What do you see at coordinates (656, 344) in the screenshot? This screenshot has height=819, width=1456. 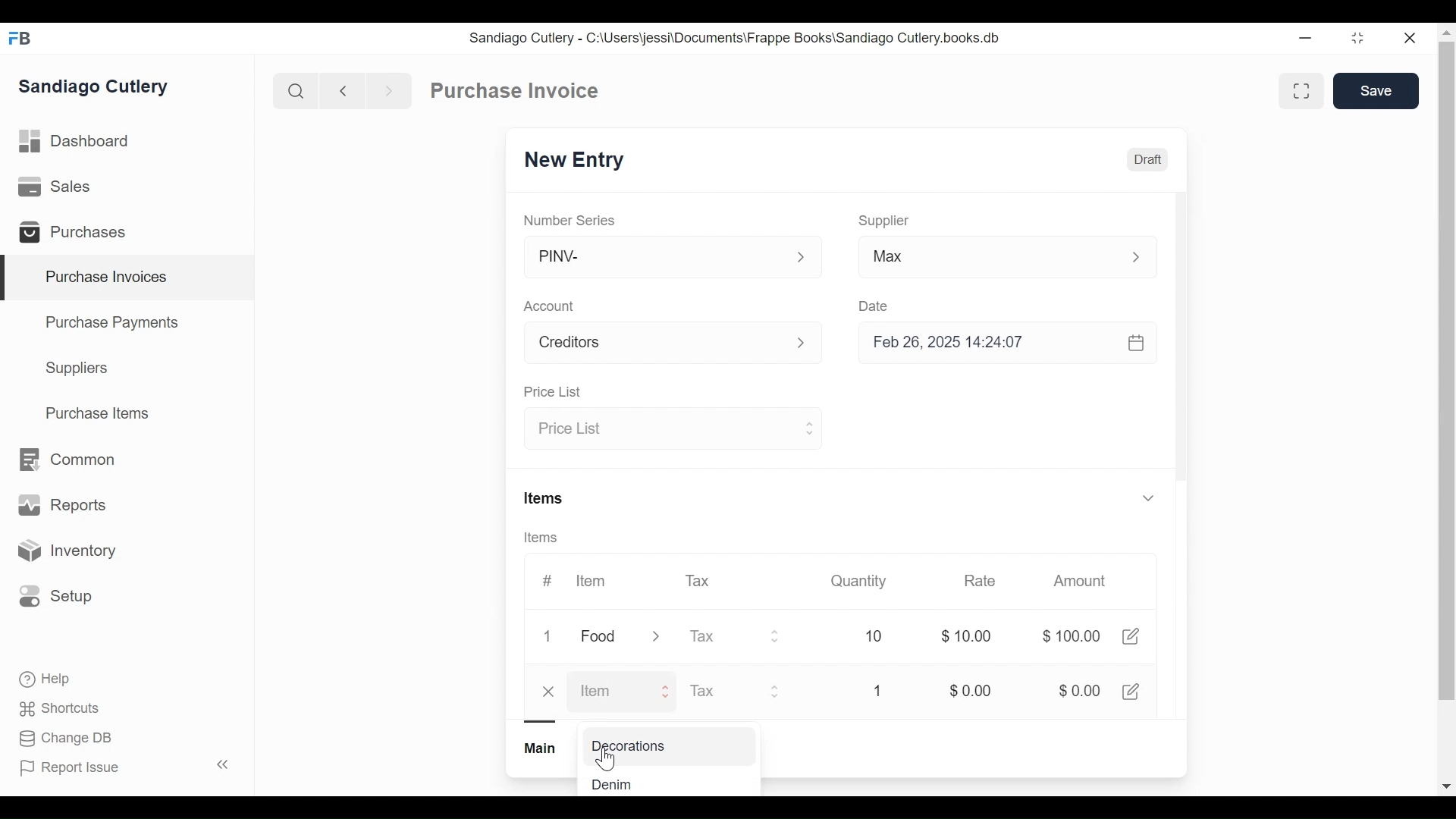 I see `Account` at bounding box center [656, 344].